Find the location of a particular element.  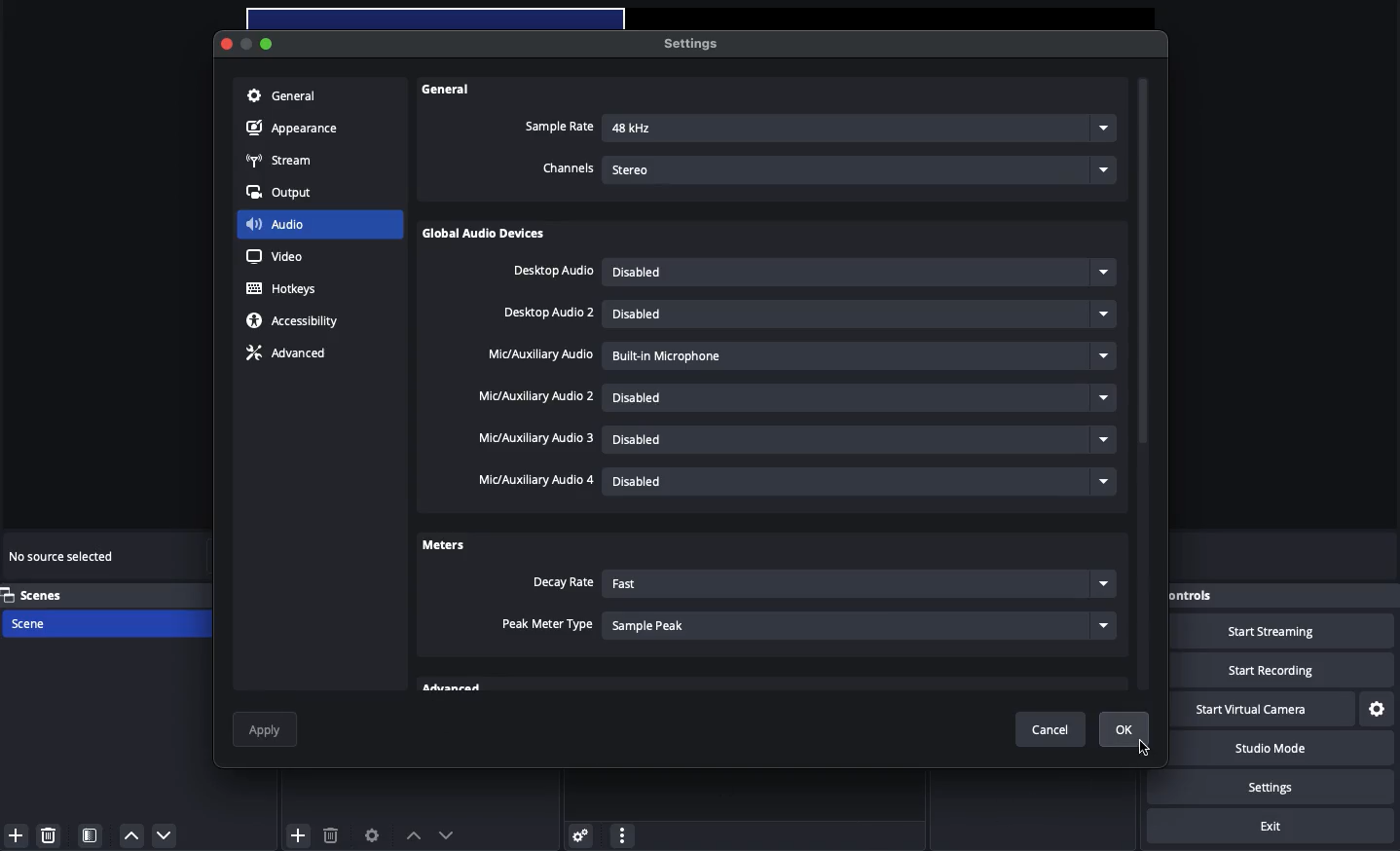

Disabled is located at coordinates (862, 398).